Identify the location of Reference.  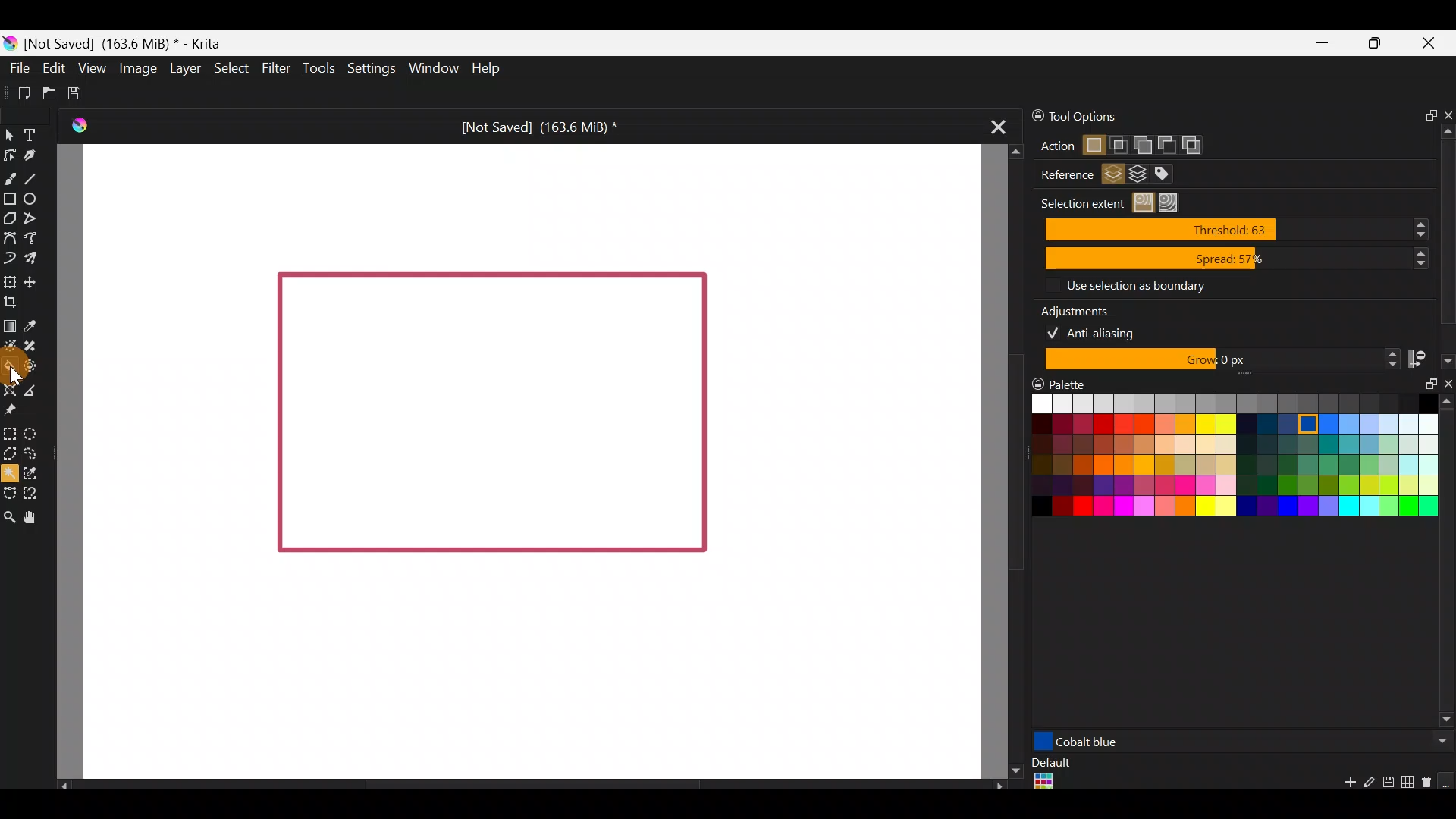
(1061, 175).